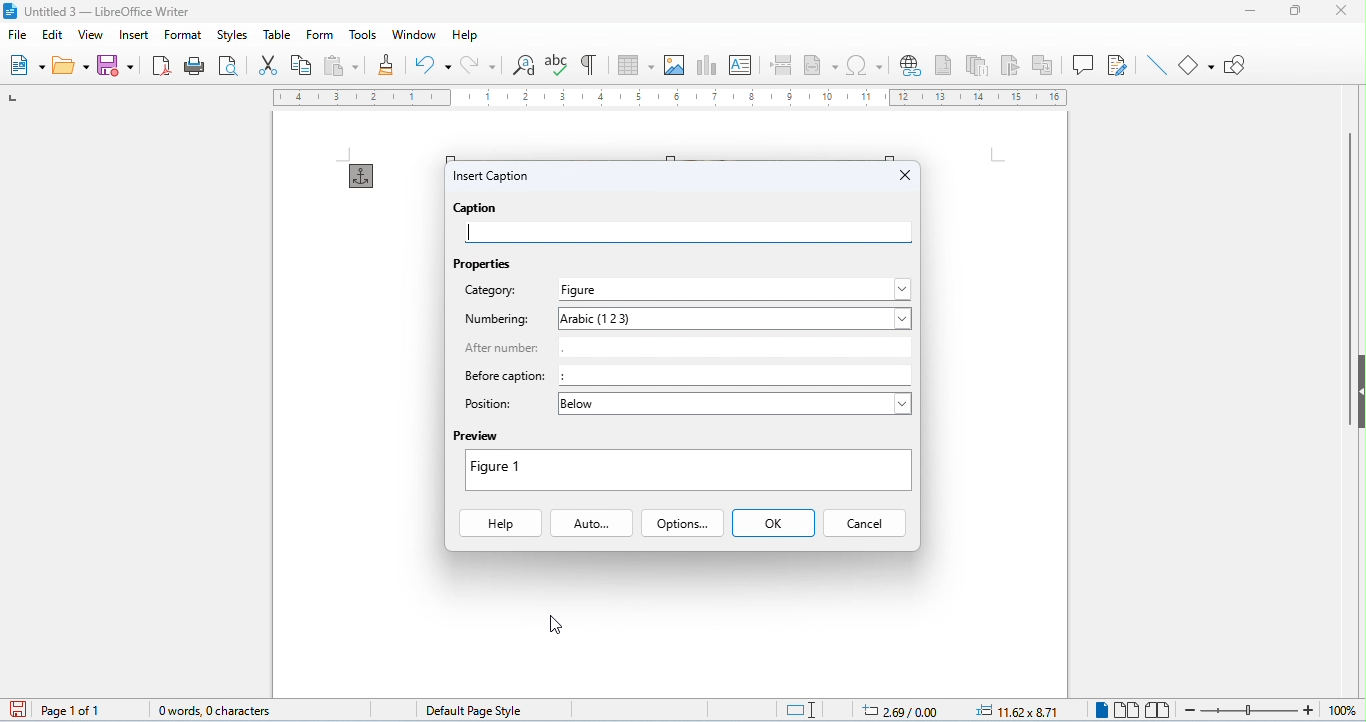 This screenshot has height=722, width=1366. Describe the element at coordinates (72, 66) in the screenshot. I see `open` at that location.